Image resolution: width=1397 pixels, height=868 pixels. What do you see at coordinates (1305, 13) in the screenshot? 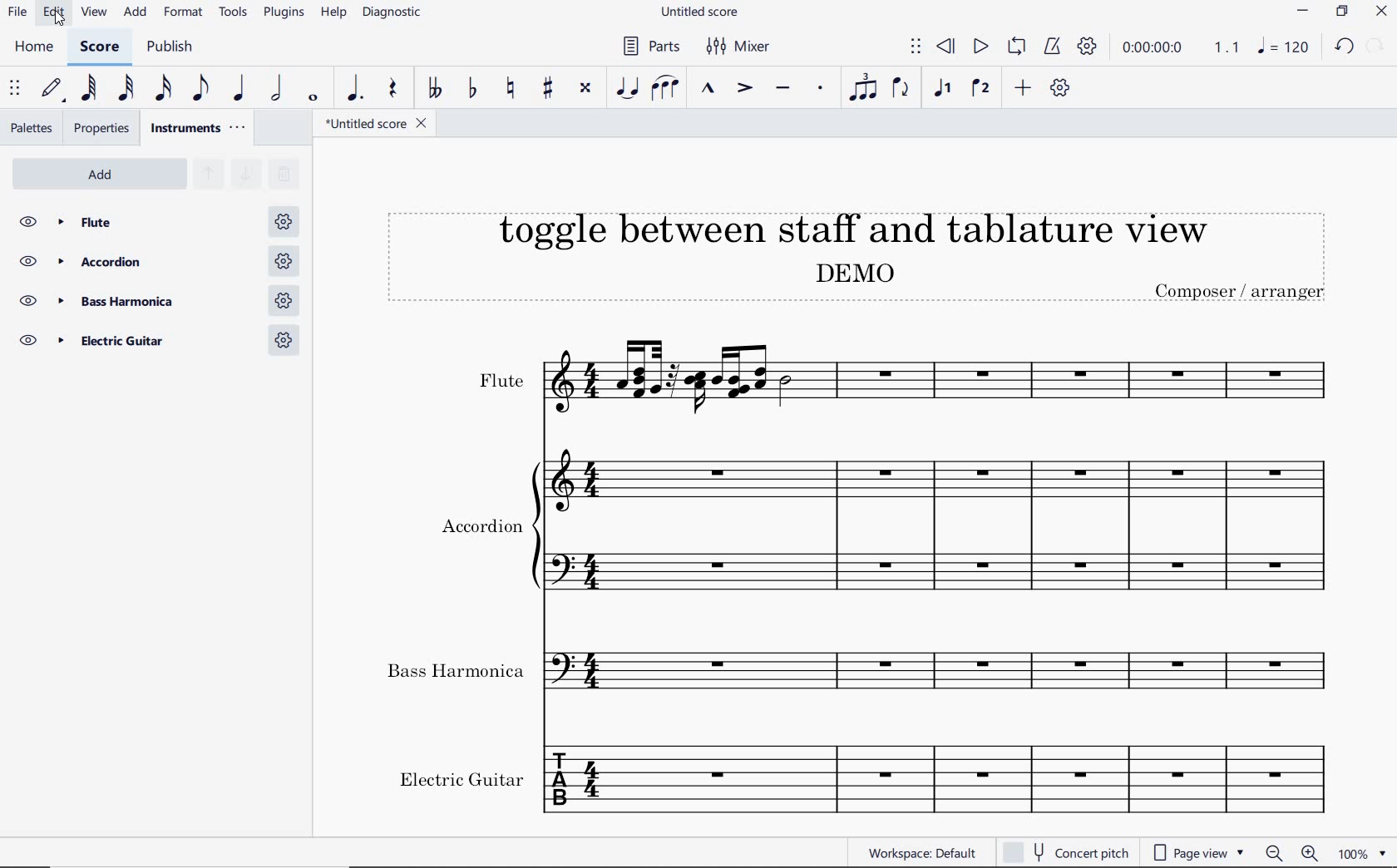
I see `MINIMIZE` at bounding box center [1305, 13].